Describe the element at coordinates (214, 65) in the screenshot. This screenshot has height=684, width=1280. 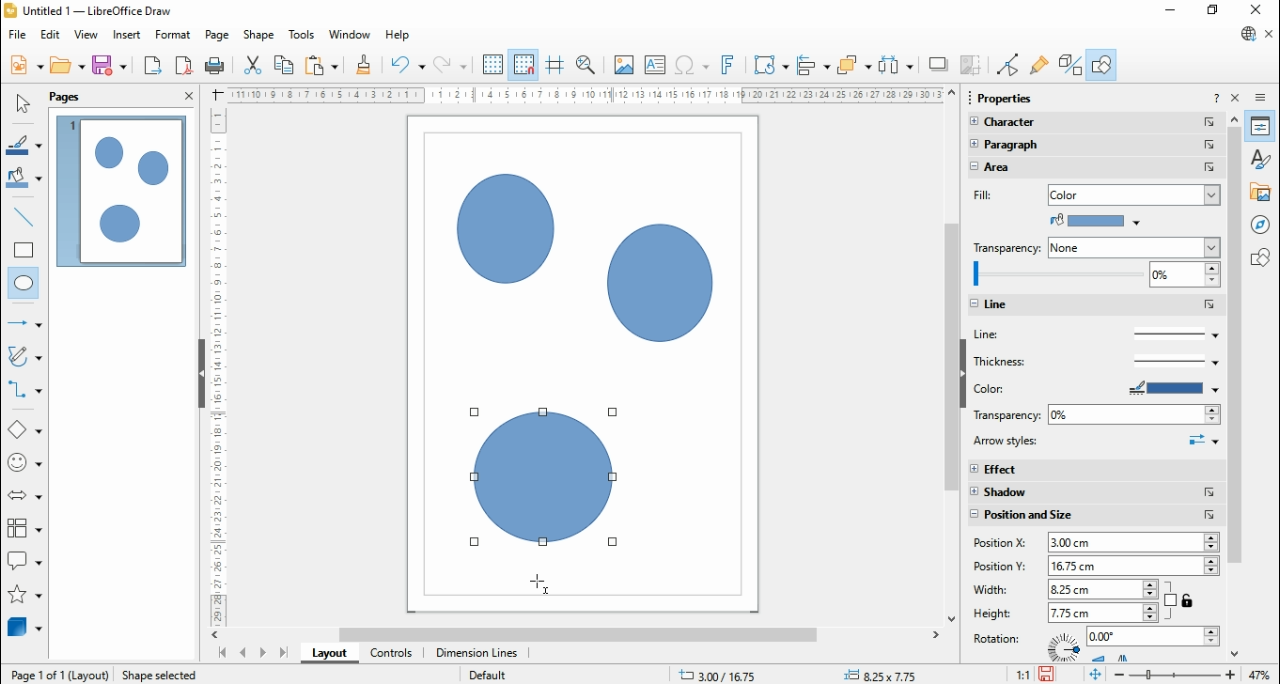
I see `print` at that location.